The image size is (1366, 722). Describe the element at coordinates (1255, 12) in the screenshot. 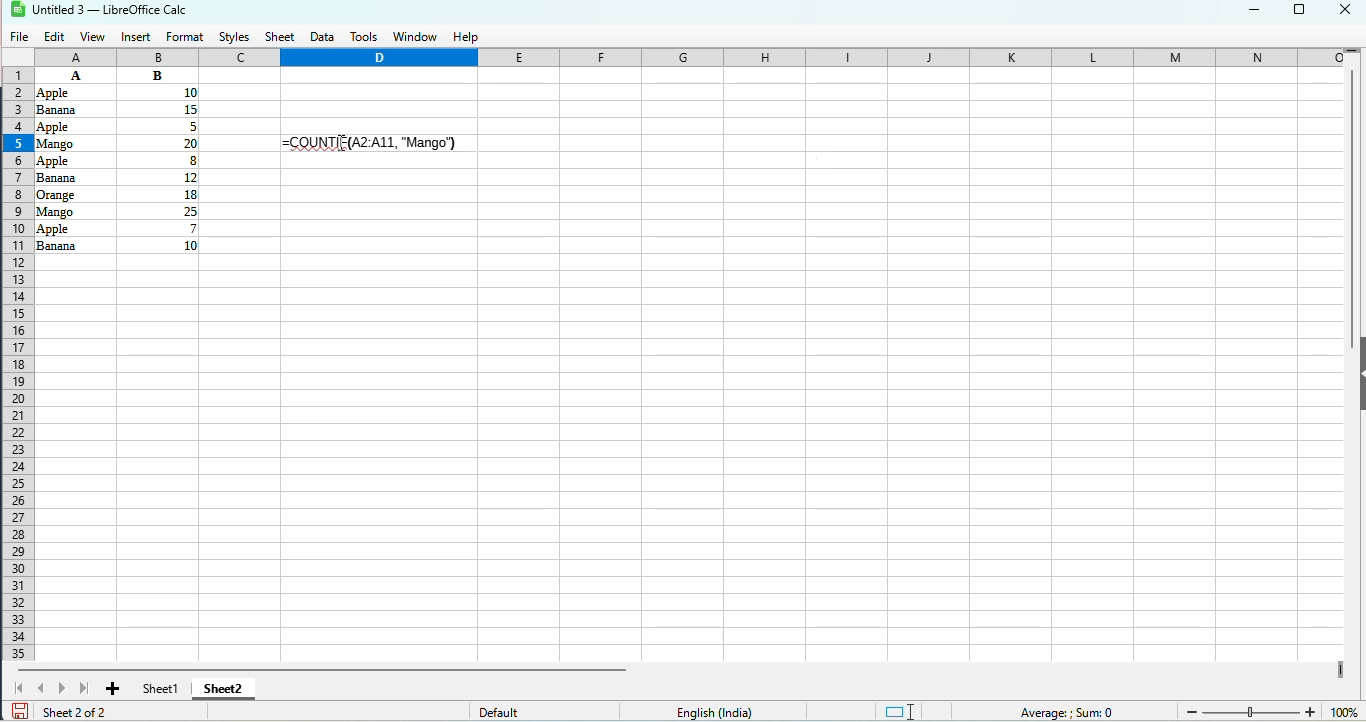

I see `minimize` at that location.